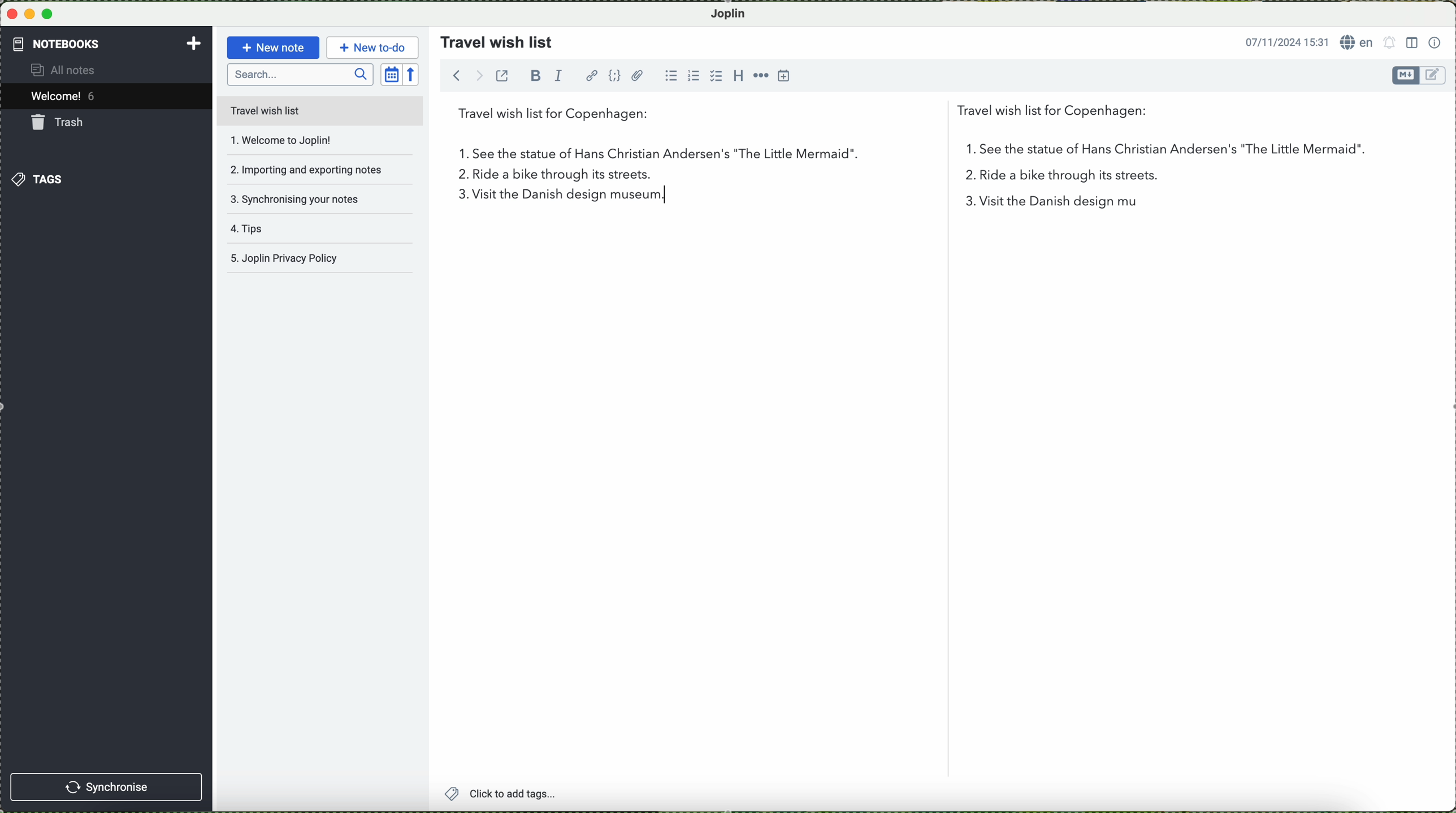 The height and width of the screenshot is (813, 1456). Describe the element at coordinates (492, 38) in the screenshot. I see `travel wish list` at that location.